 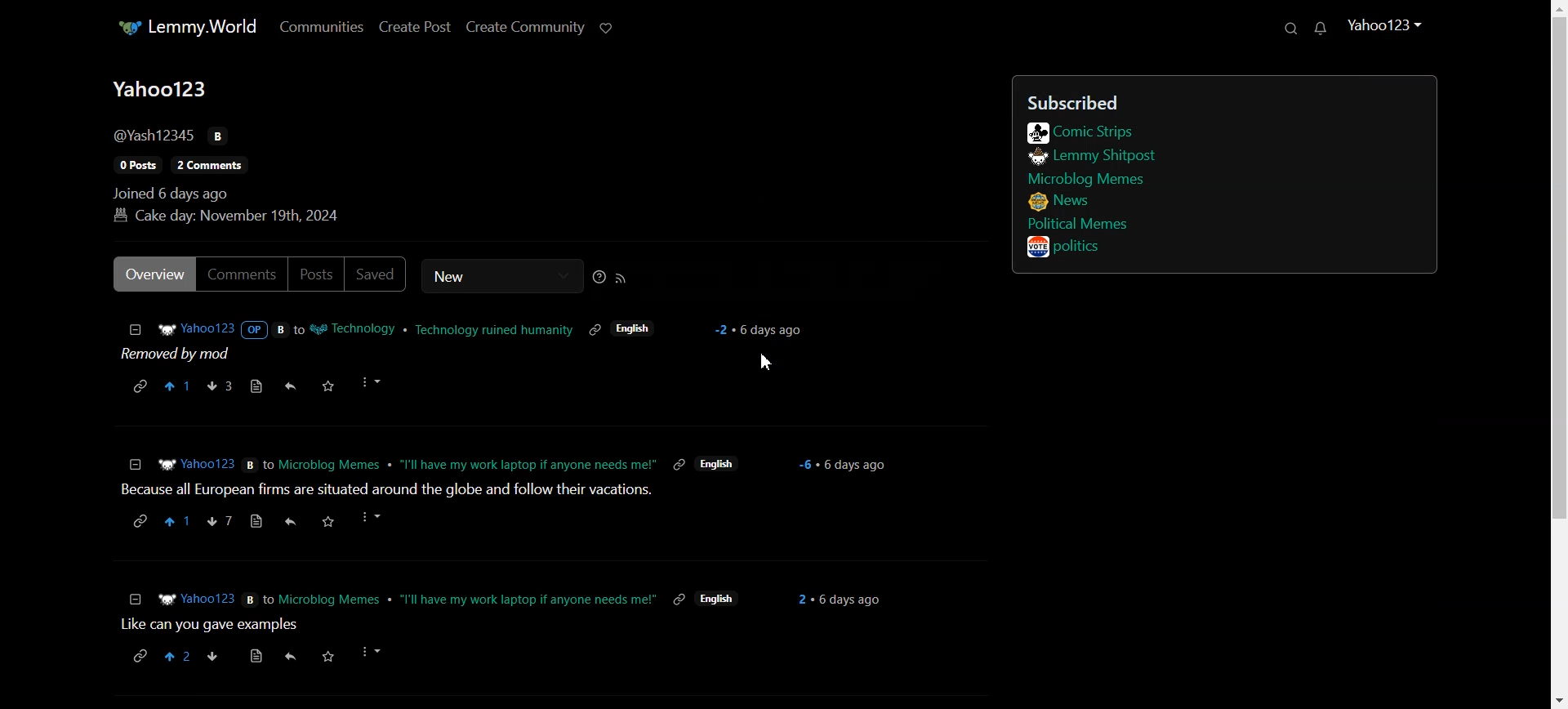 What do you see at coordinates (194, 329) in the screenshot?
I see `yahoo123` at bounding box center [194, 329].